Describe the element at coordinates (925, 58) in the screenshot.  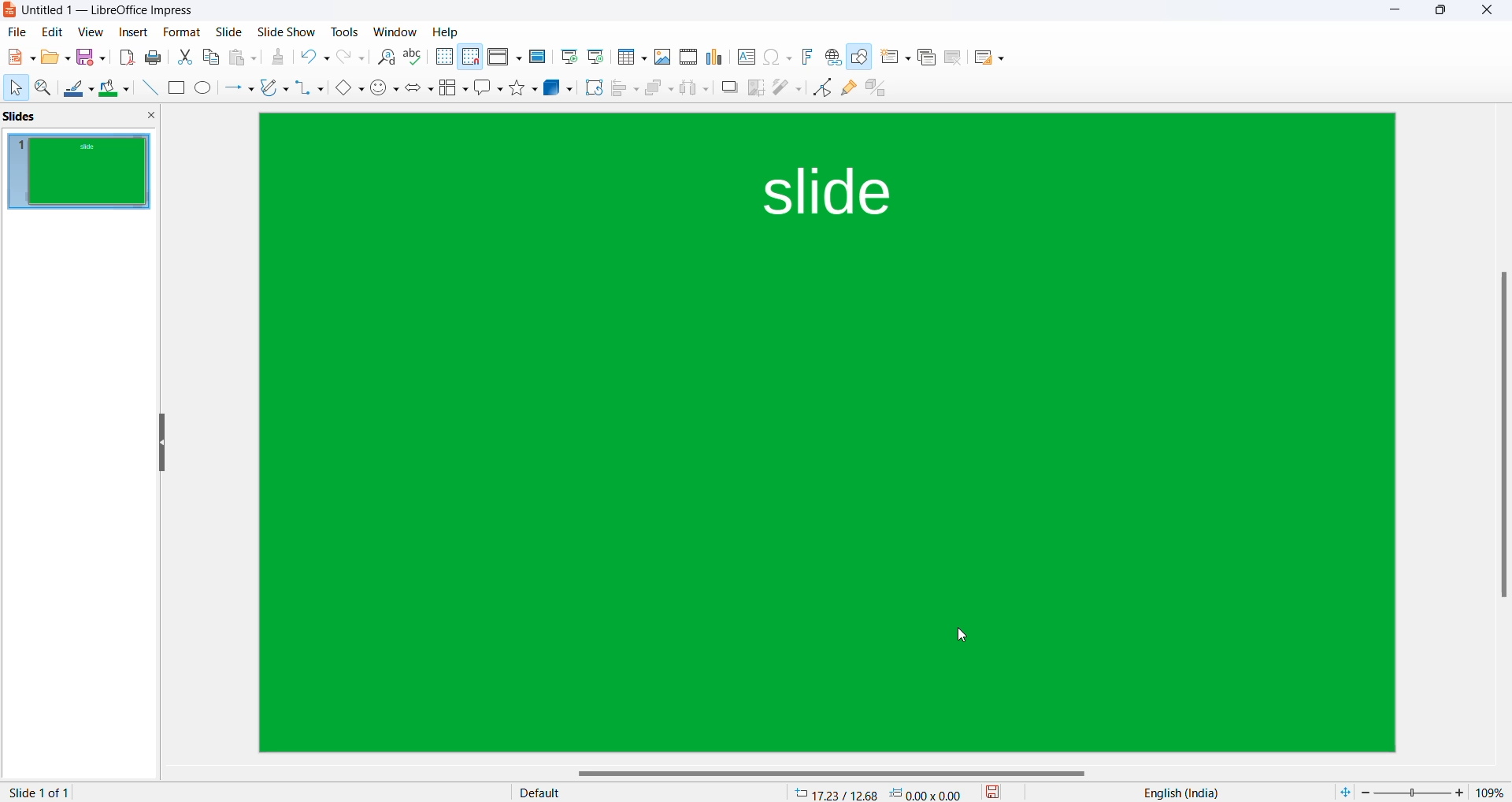
I see `duplicate slide` at that location.